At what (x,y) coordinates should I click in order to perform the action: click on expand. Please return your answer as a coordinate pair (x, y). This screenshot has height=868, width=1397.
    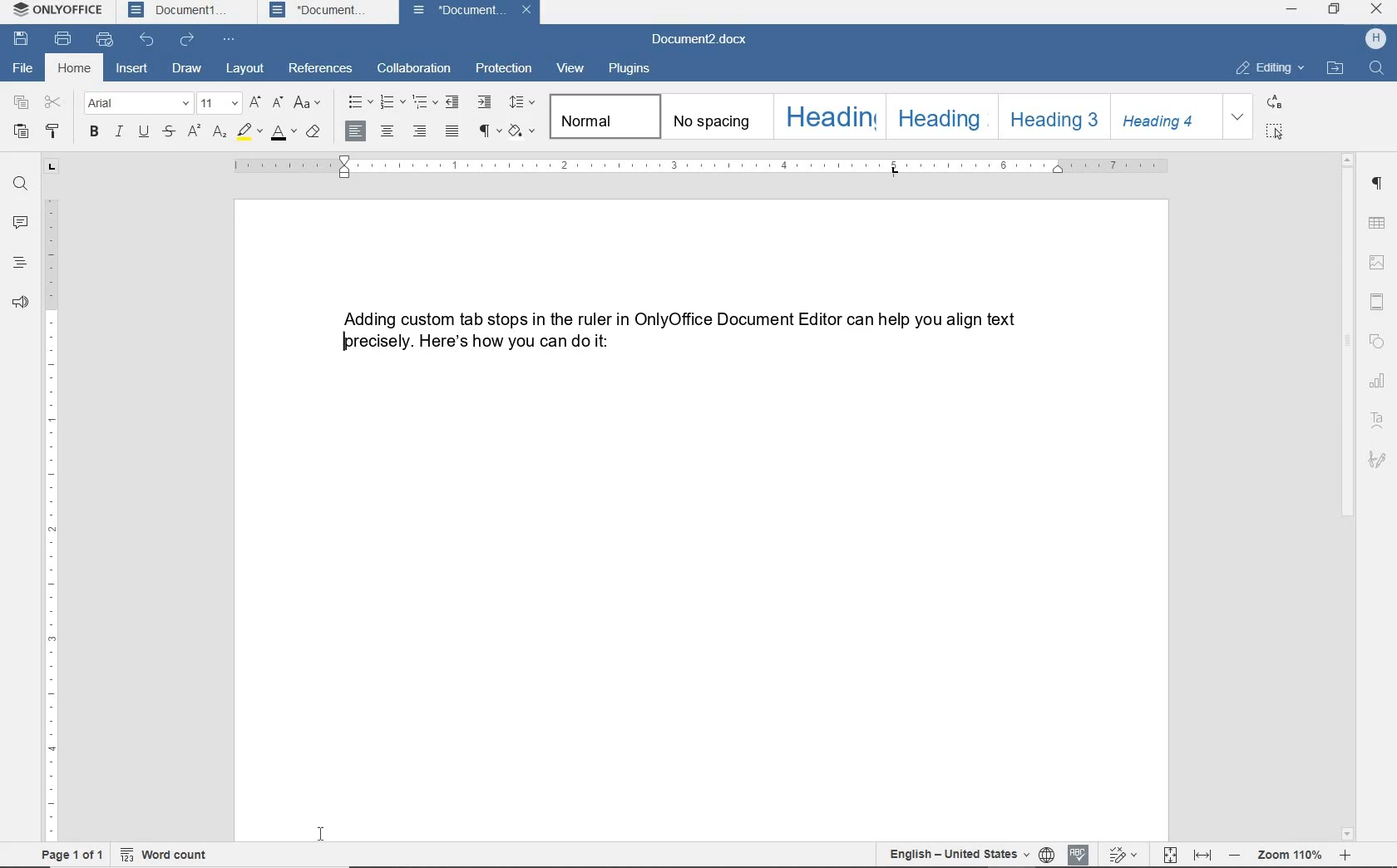
    Looking at the image, I should click on (1238, 116).